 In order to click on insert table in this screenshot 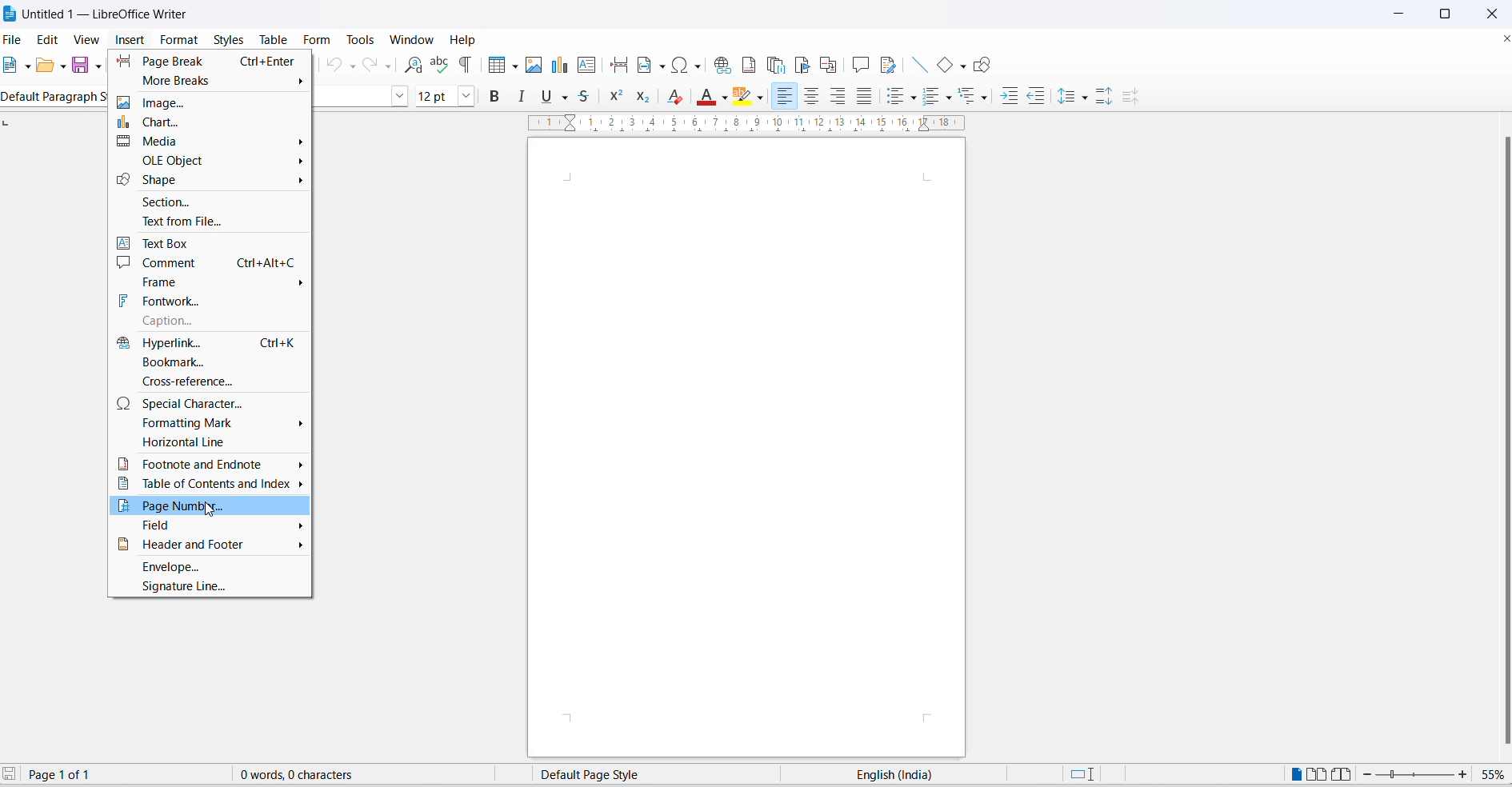, I will do `click(492, 67)`.